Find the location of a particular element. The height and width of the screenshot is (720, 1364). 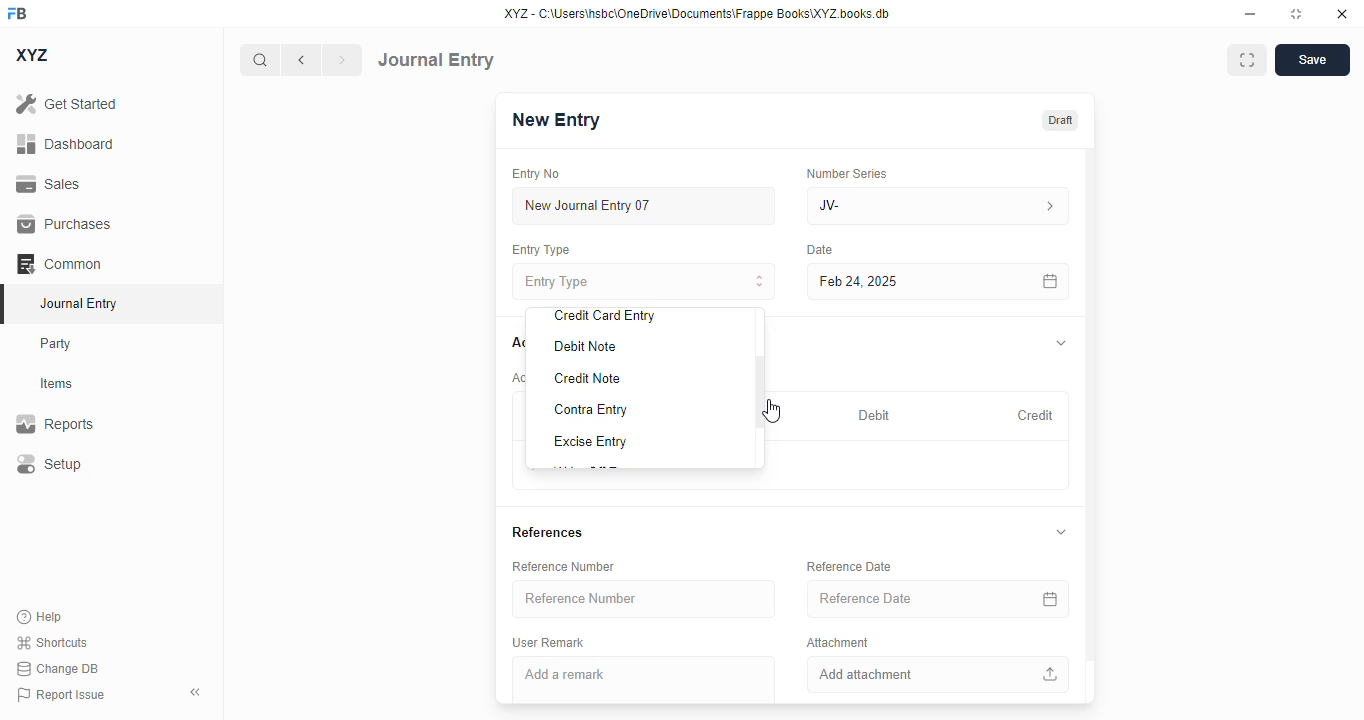

add attachment is located at coordinates (937, 675).